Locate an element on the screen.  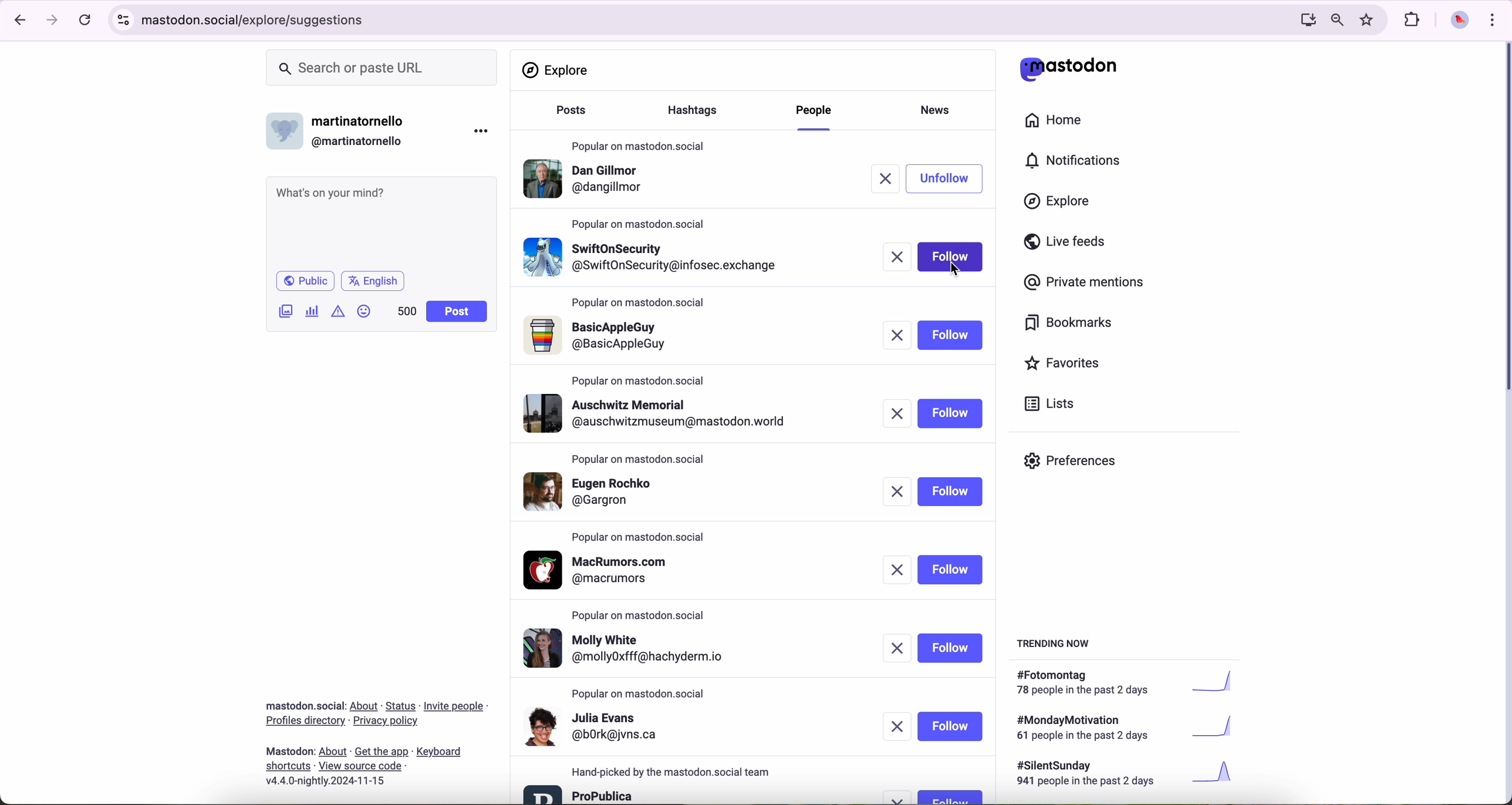
profile picture is located at coordinates (1456, 21).